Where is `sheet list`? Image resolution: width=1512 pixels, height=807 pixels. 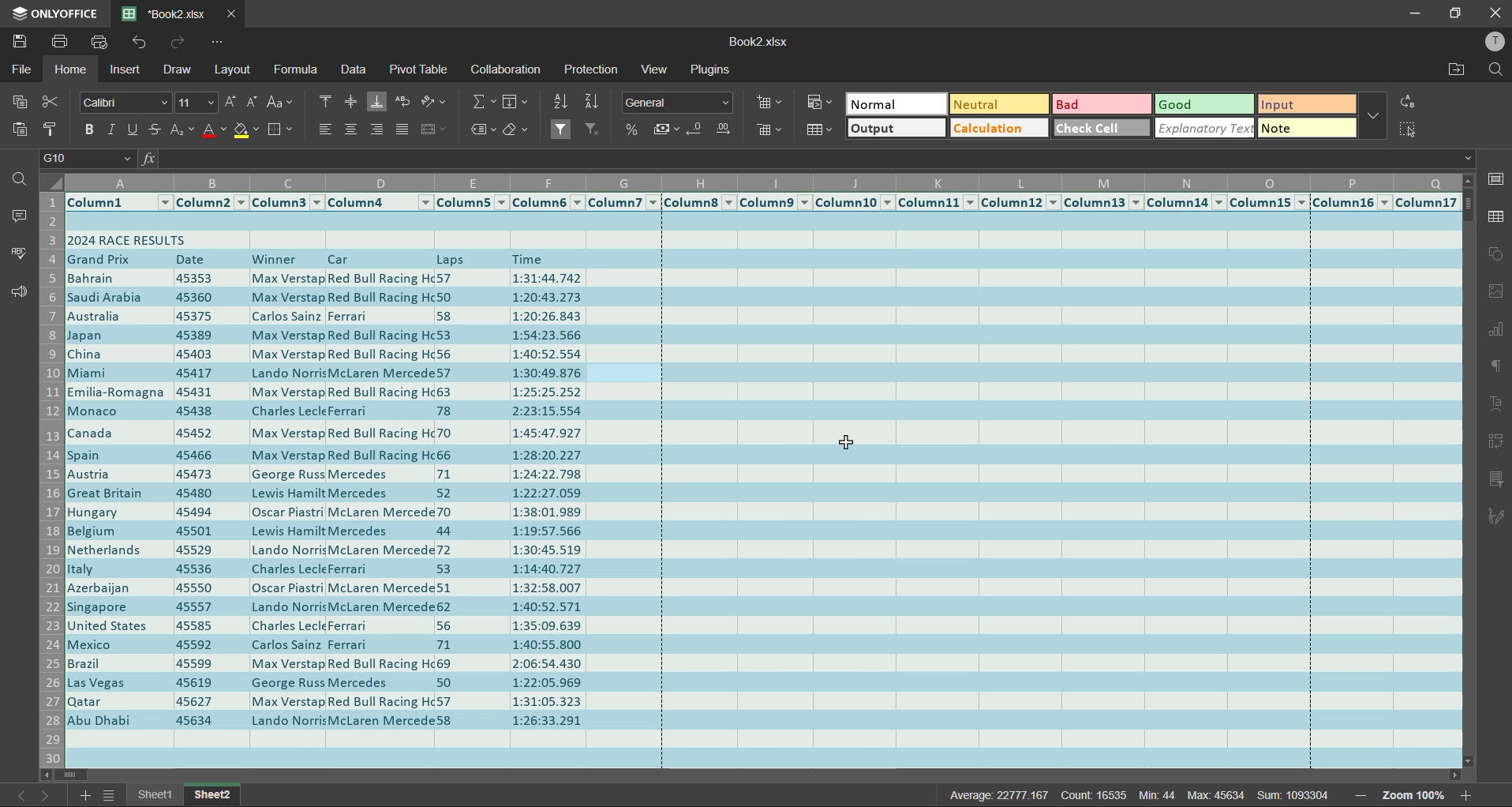 sheet list is located at coordinates (110, 796).